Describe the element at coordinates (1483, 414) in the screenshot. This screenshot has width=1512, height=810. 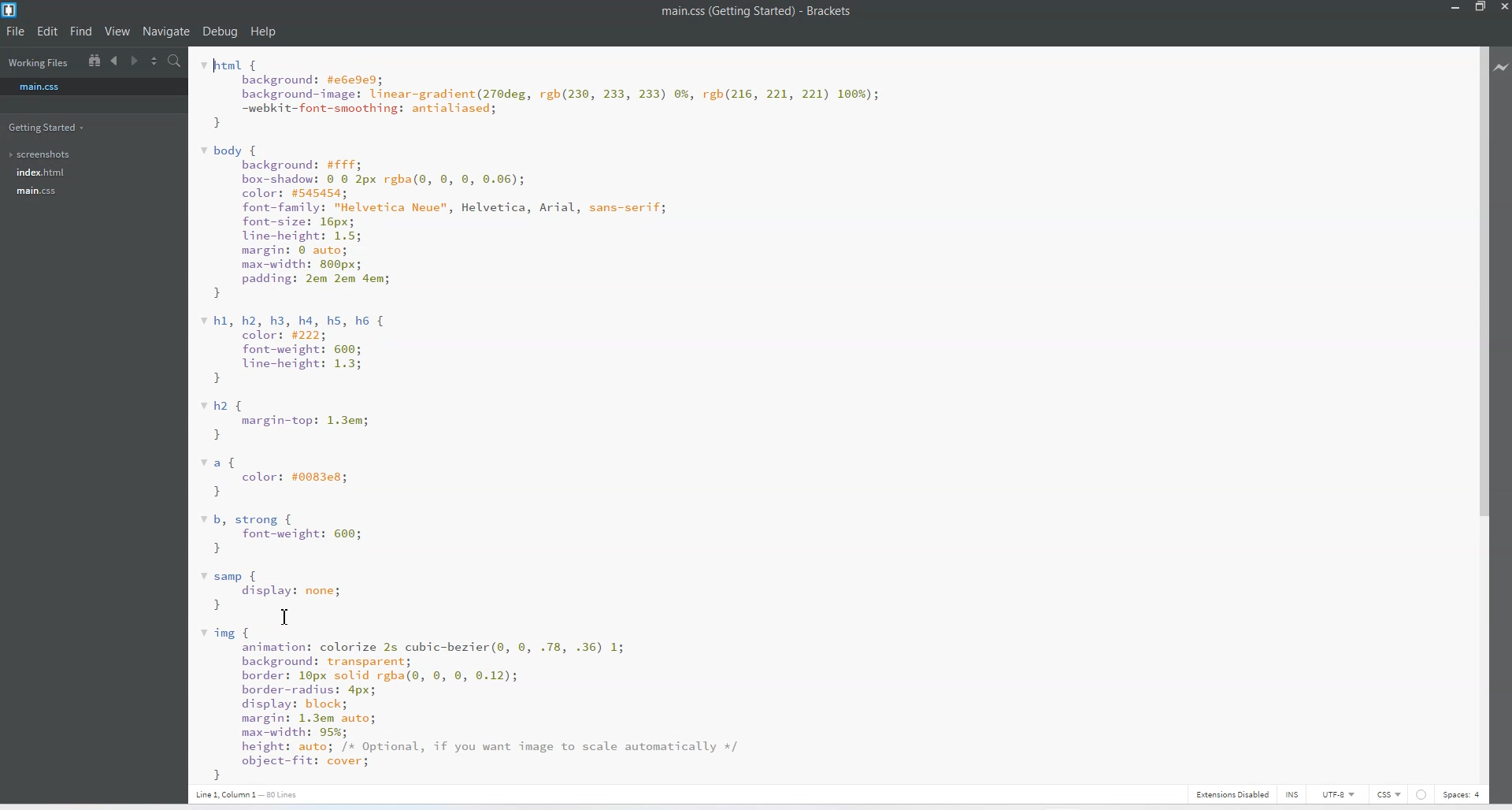
I see `Vertical Scroll Bar` at that location.